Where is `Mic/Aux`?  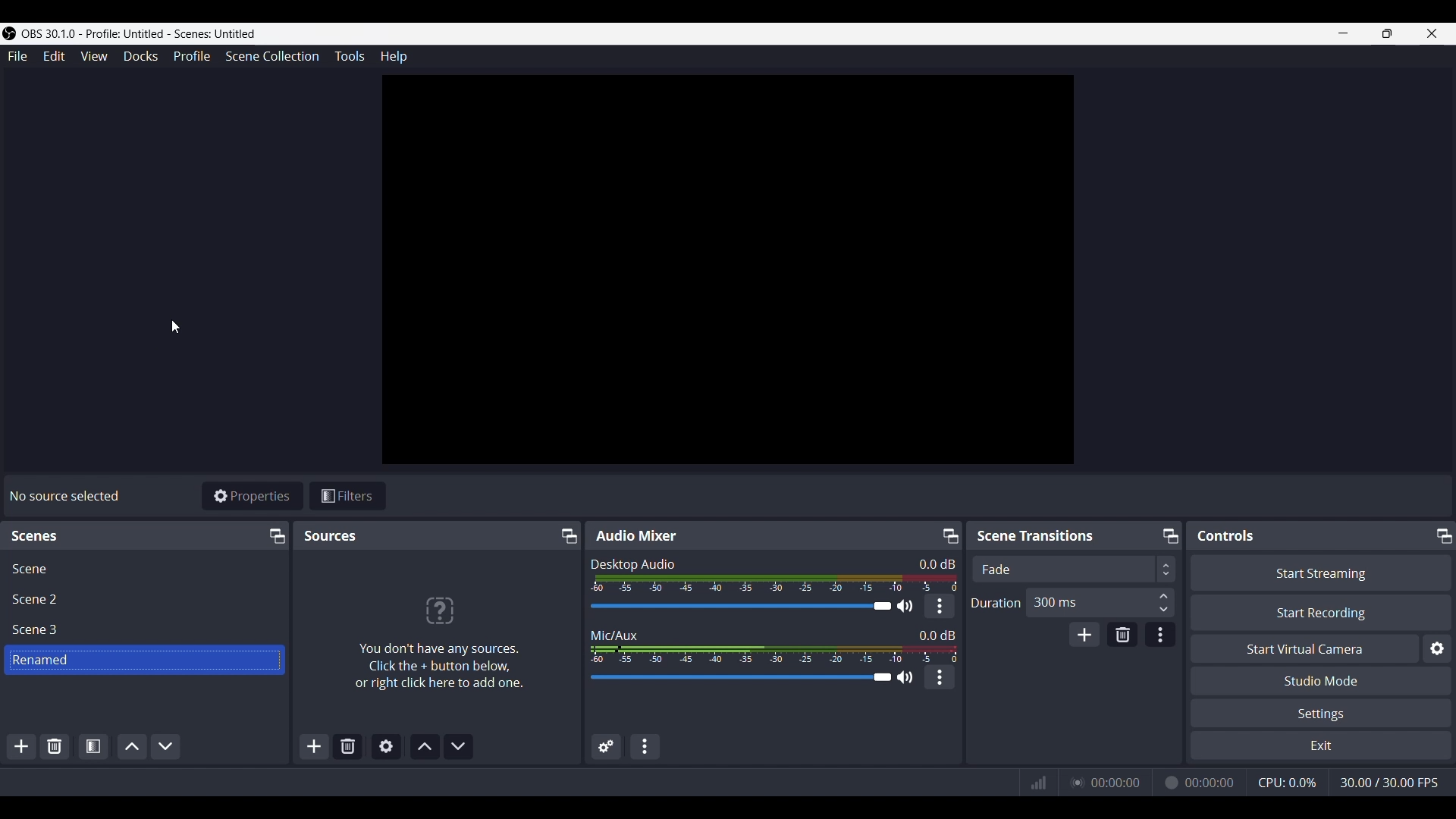
Mic/Aux is located at coordinates (614, 634).